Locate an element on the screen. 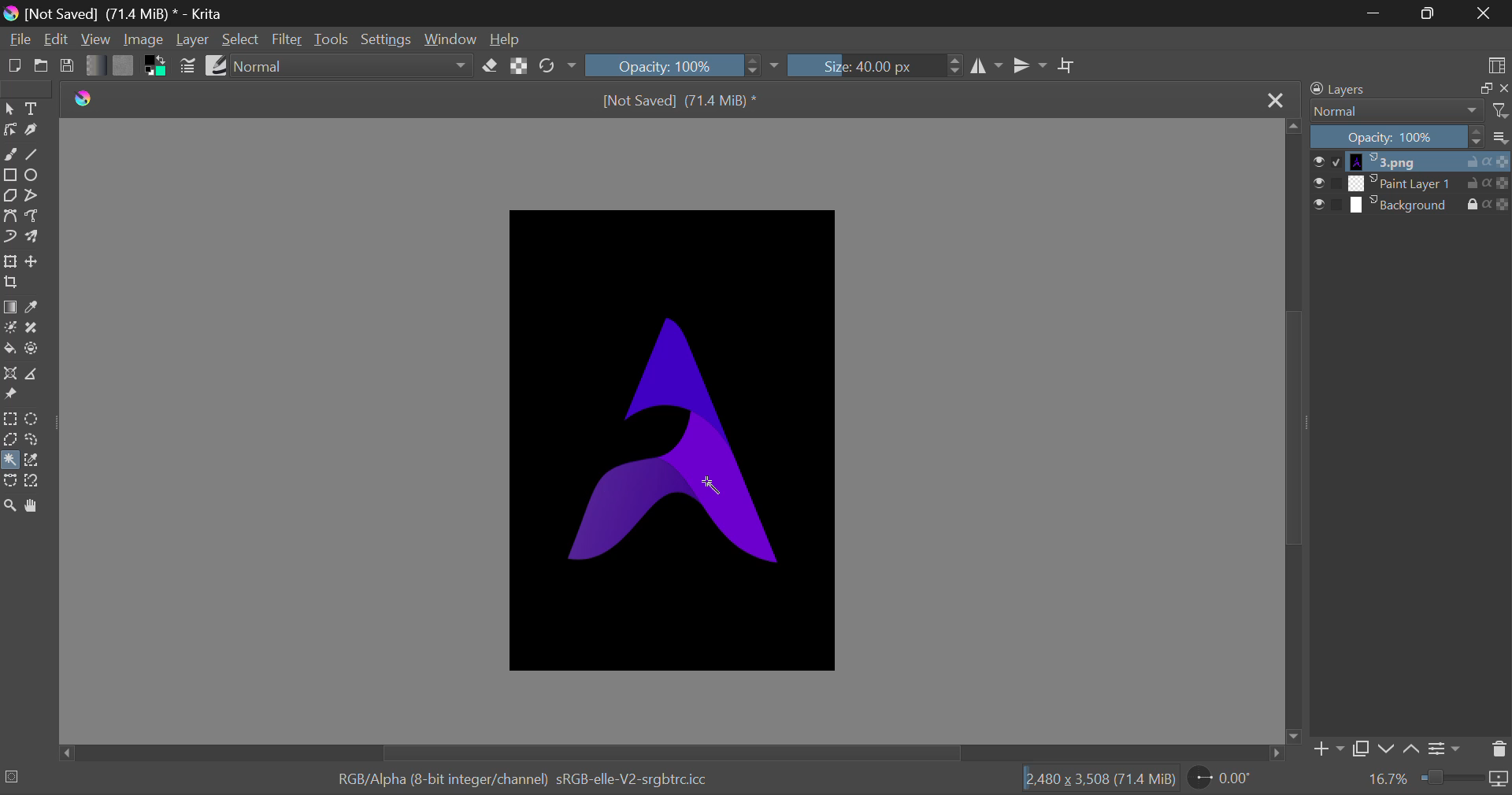 Image resolution: width=1512 pixels, height=795 pixels. actions is located at coordinates (1488, 162).